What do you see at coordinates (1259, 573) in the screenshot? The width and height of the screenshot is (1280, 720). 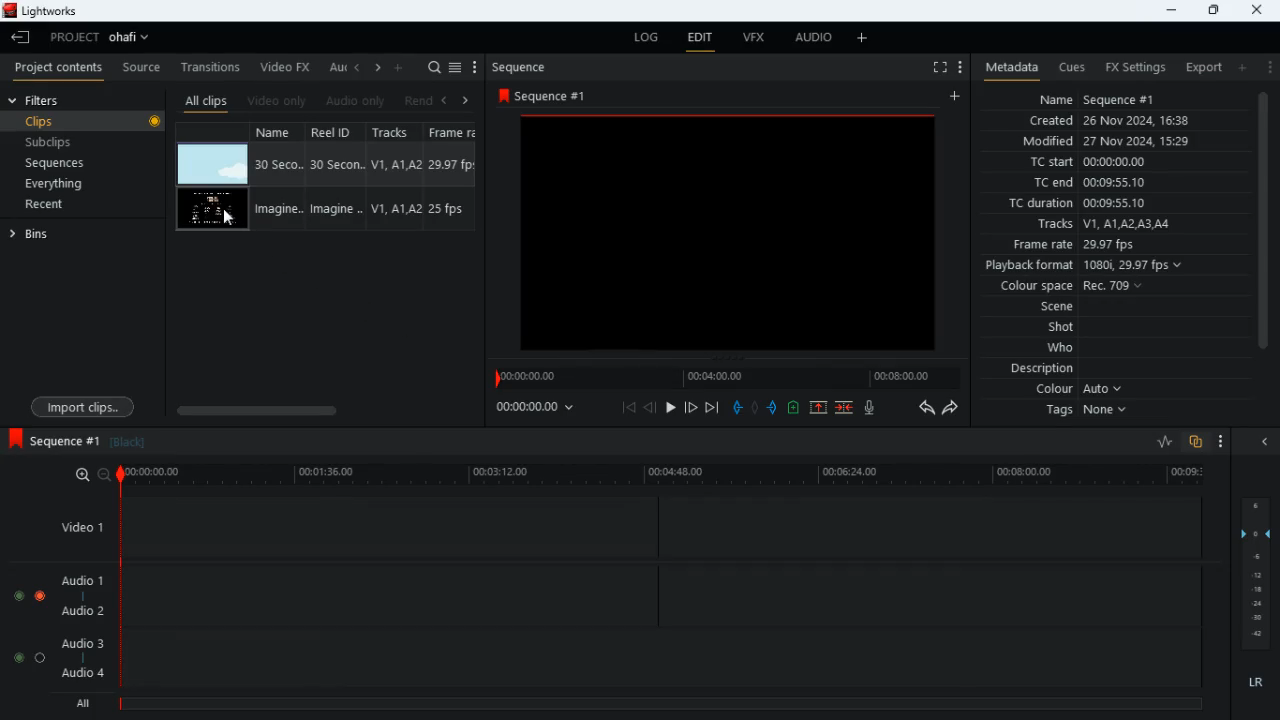 I see `layers` at bounding box center [1259, 573].